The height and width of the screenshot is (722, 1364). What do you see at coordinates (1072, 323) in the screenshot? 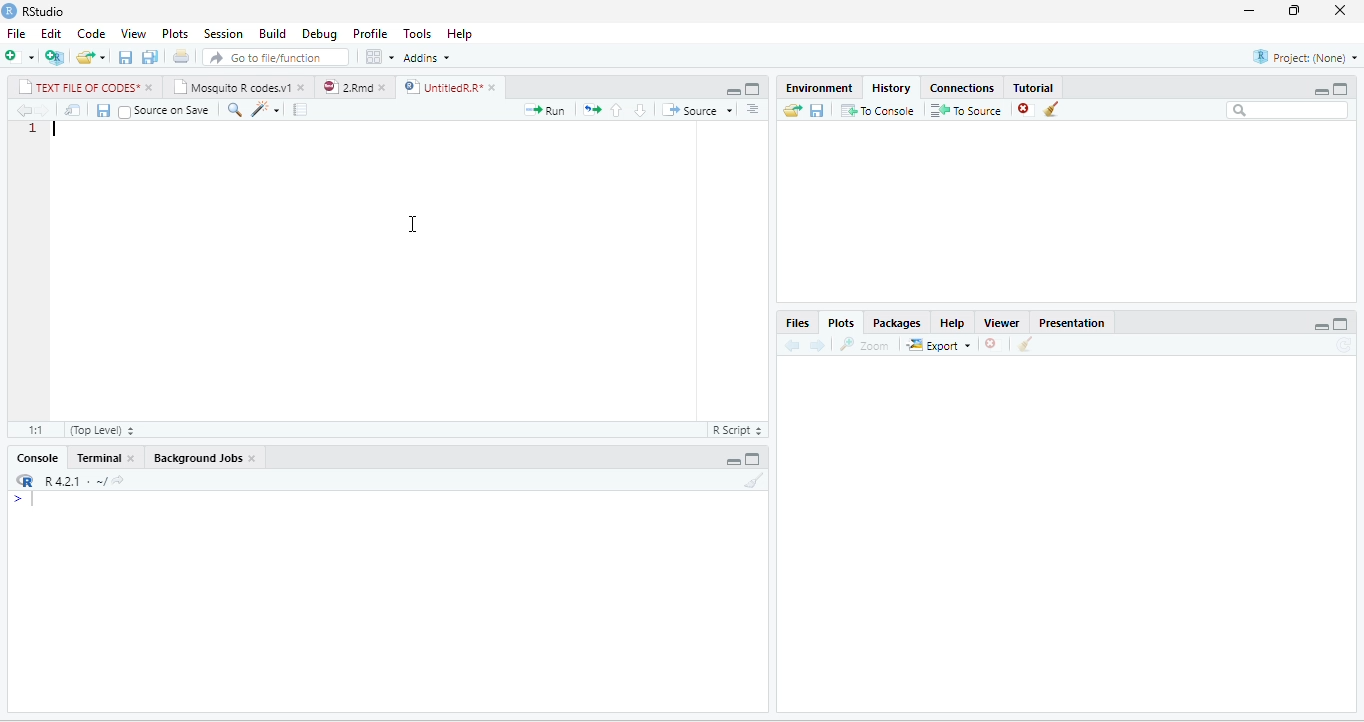
I see `Presentation` at bounding box center [1072, 323].